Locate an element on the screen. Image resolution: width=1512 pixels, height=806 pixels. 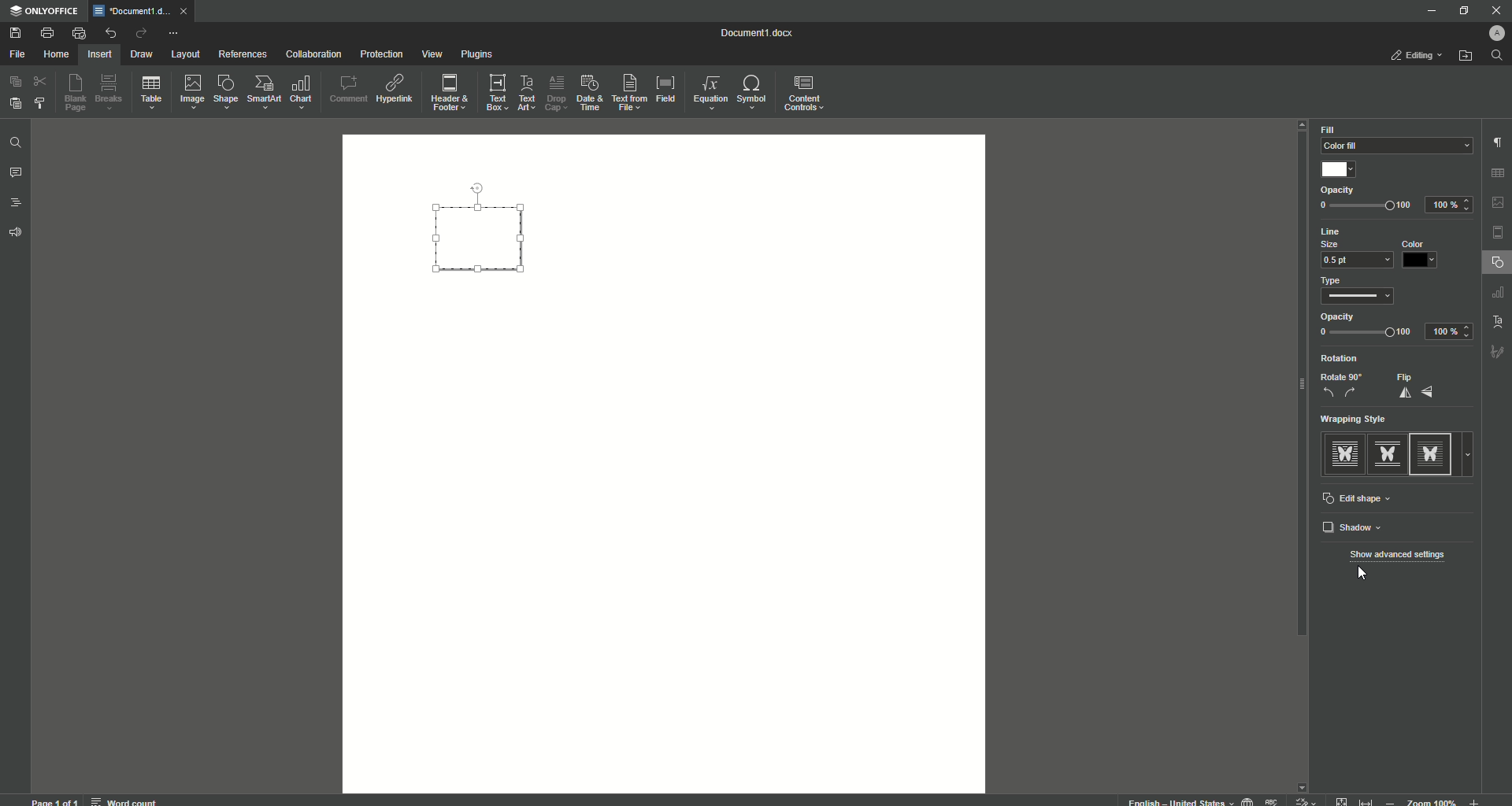
close is located at coordinates (187, 10).